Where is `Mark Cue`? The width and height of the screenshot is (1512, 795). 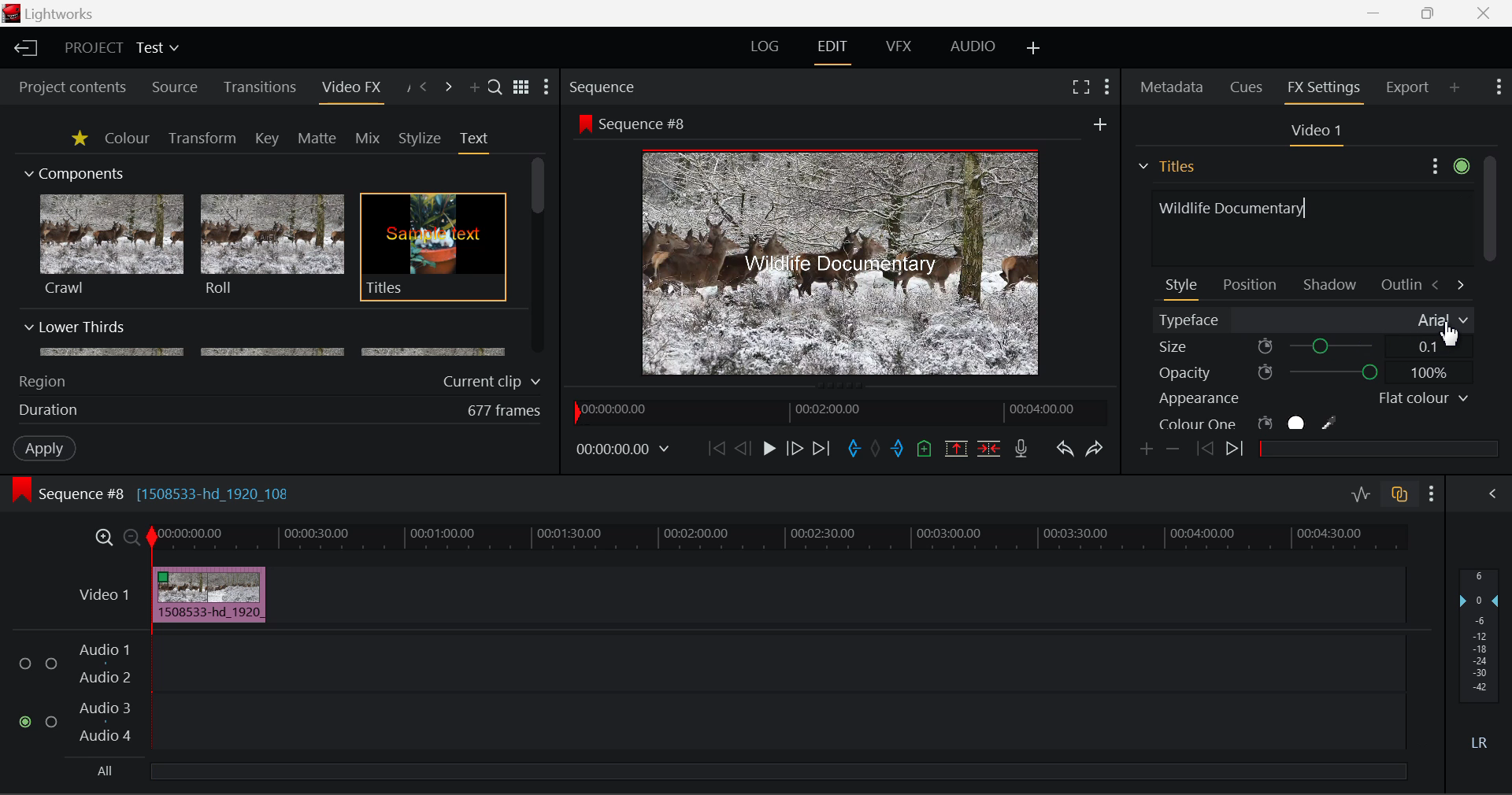
Mark Cue is located at coordinates (926, 450).